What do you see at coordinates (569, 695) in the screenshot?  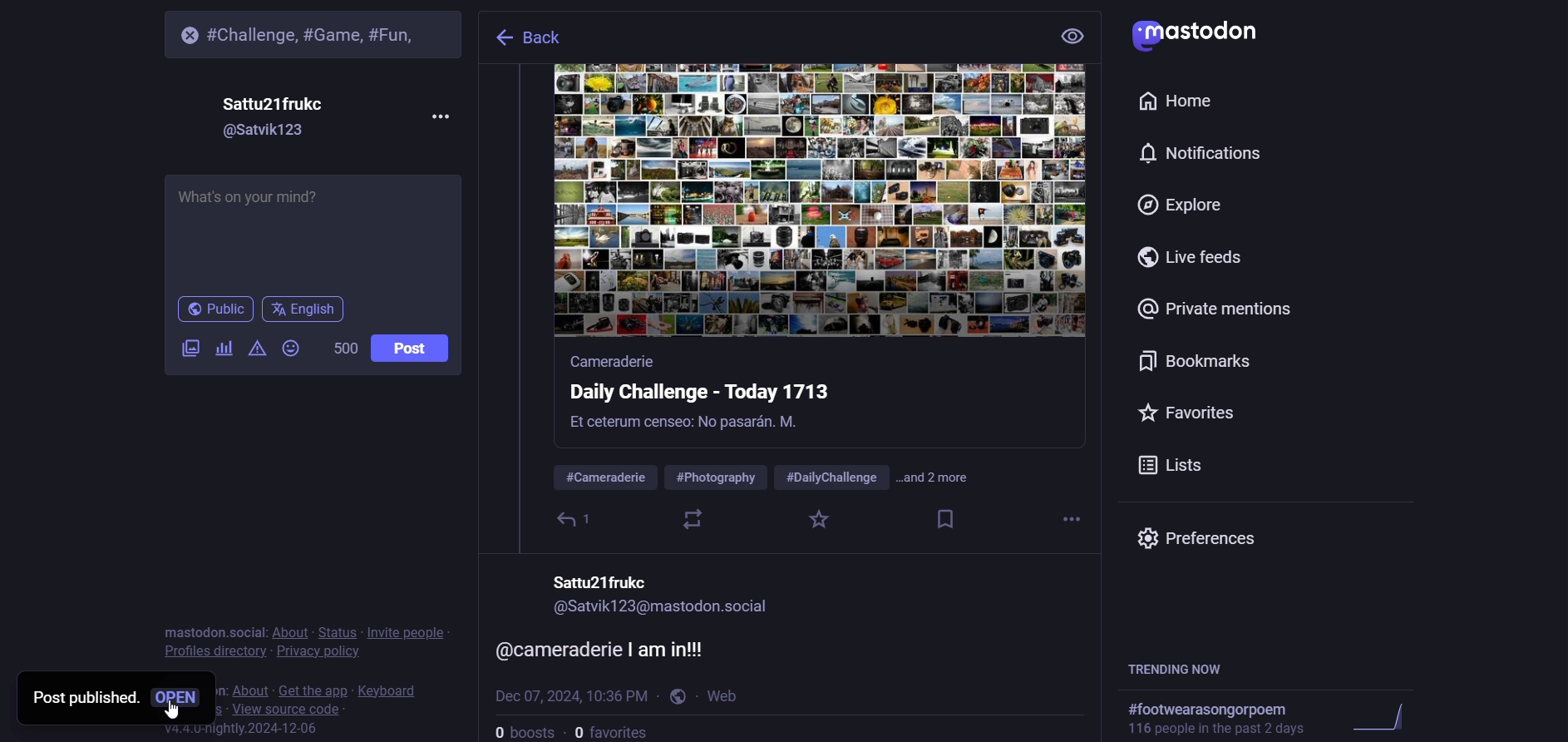 I see `Dec 07,2024, 10:36 PM` at bounding box center [569, 695].